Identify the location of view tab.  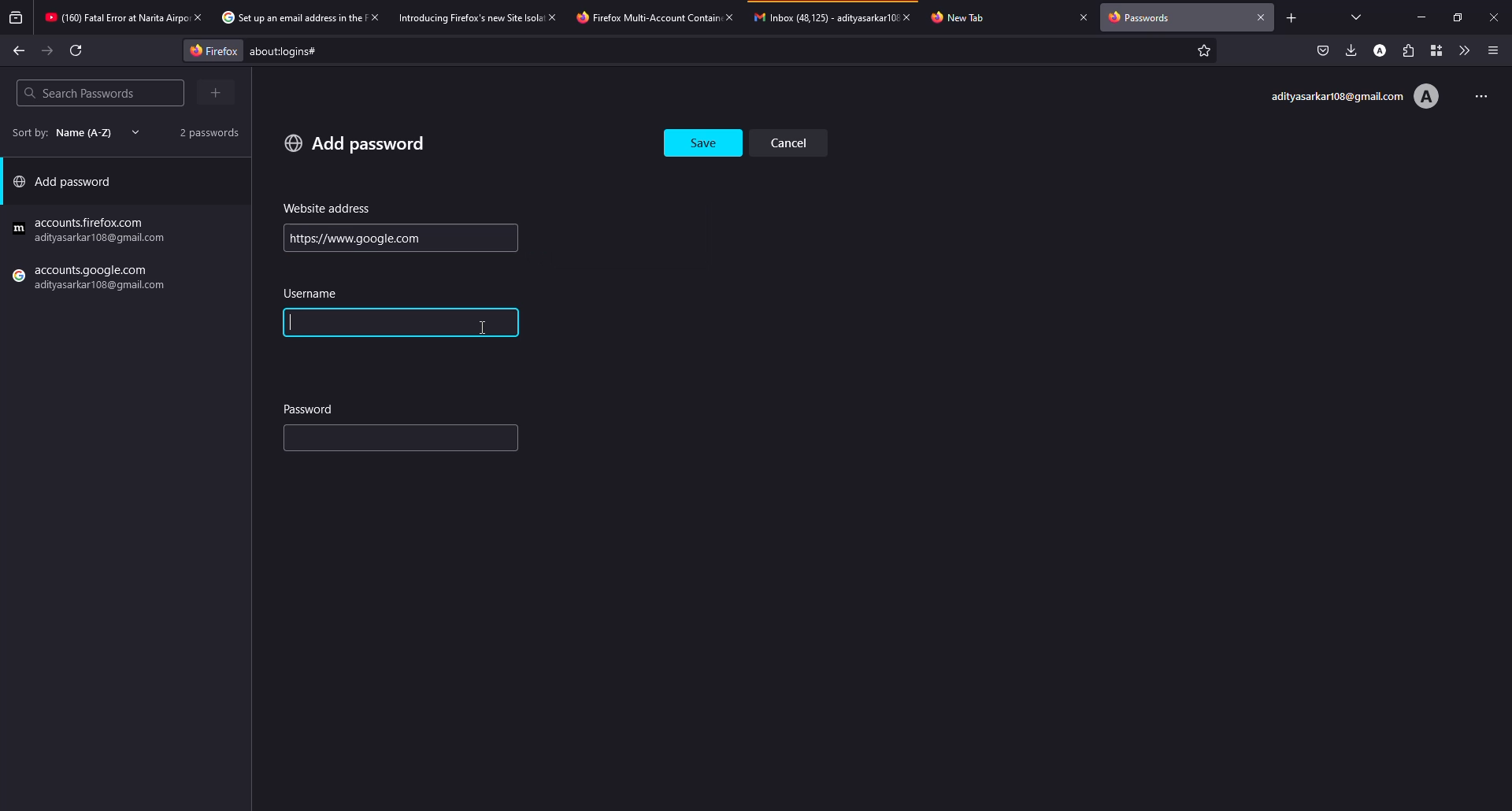
(1357, 17).